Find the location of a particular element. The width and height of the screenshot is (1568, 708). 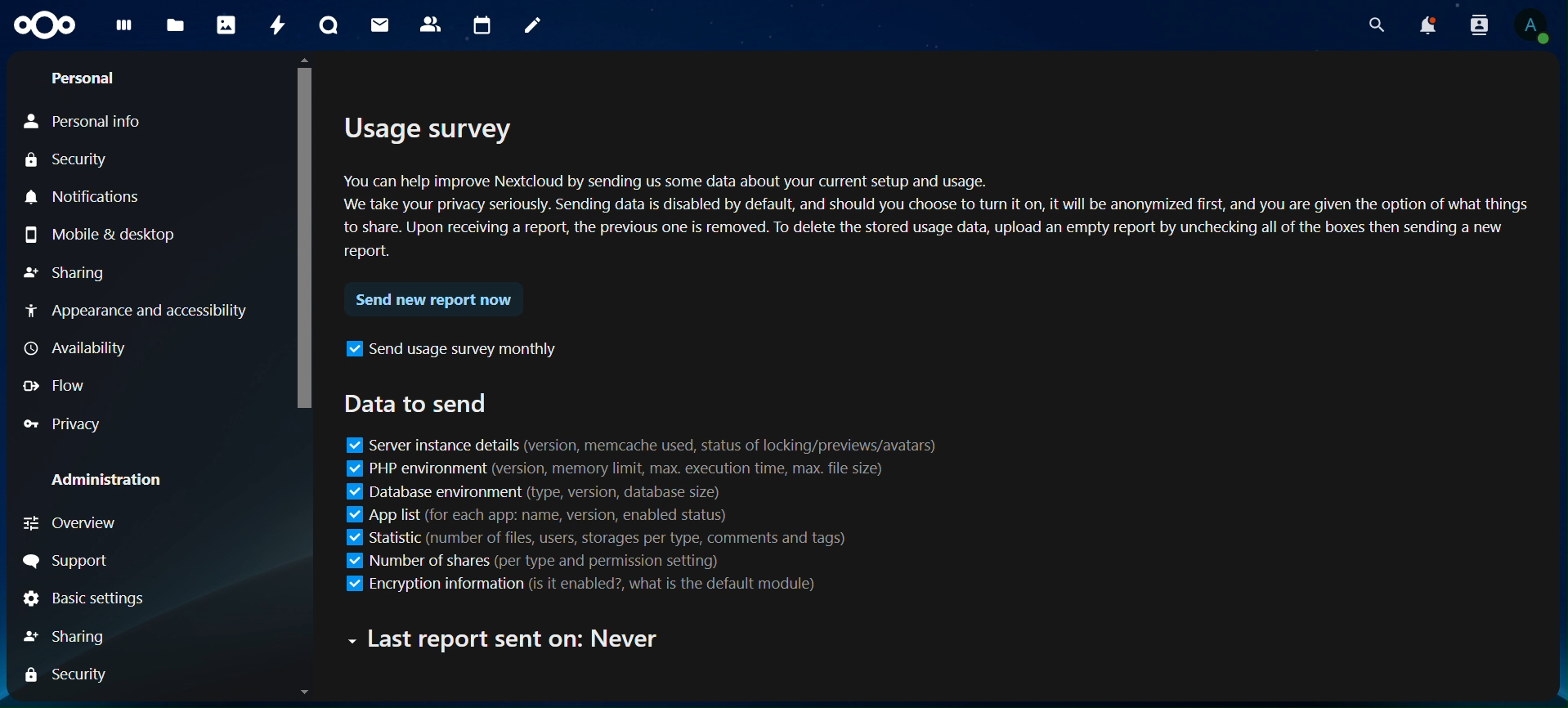

icon is located at coordinates (43, 25).